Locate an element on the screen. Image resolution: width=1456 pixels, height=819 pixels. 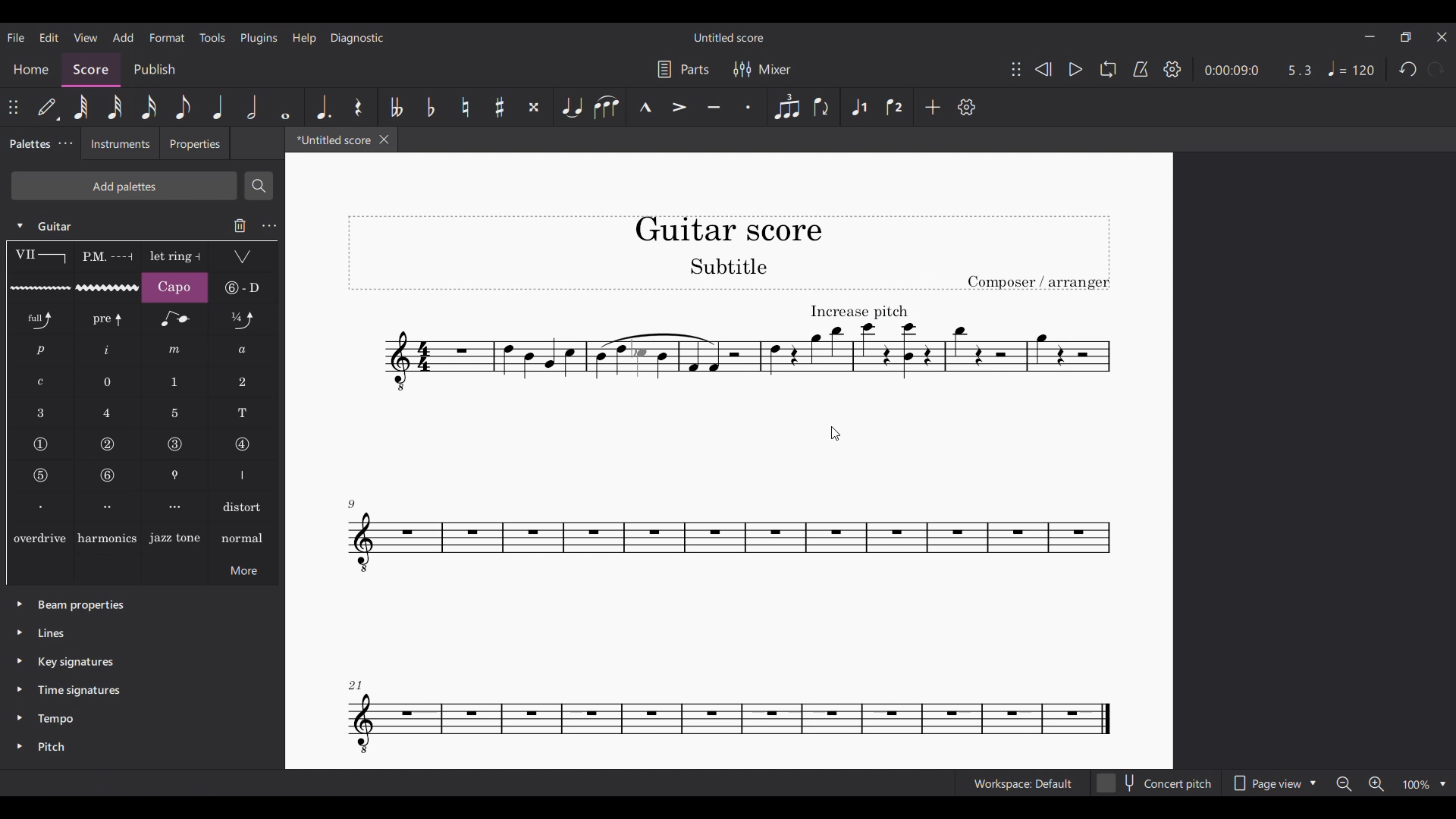
Barre line is located at coordinates (40, 257).